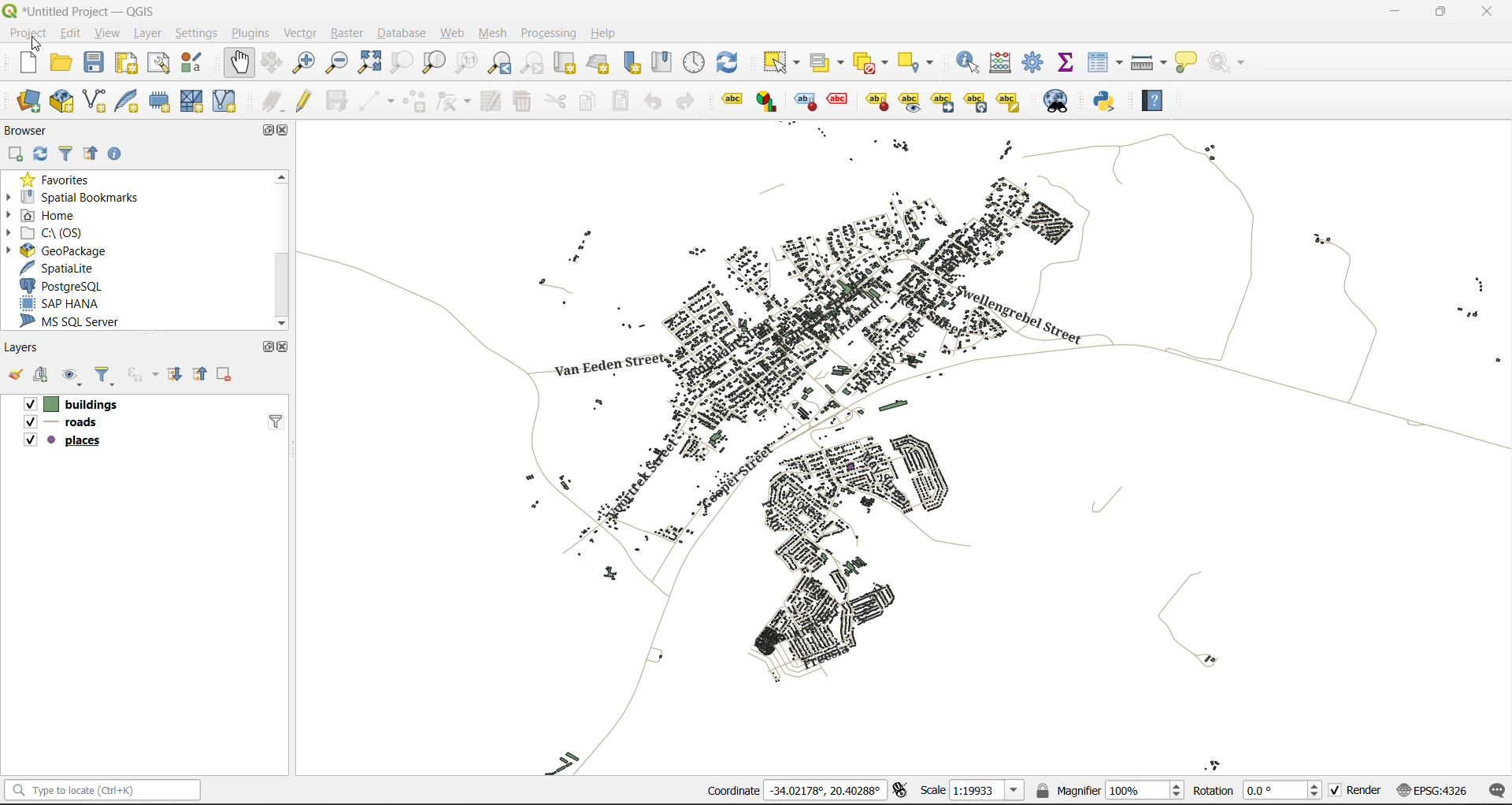 Image resolution: width=1512 pixels, height=805 pixels. Describe the element at coordinates (828, 59) in the screenshot. I see `select value` at that location.